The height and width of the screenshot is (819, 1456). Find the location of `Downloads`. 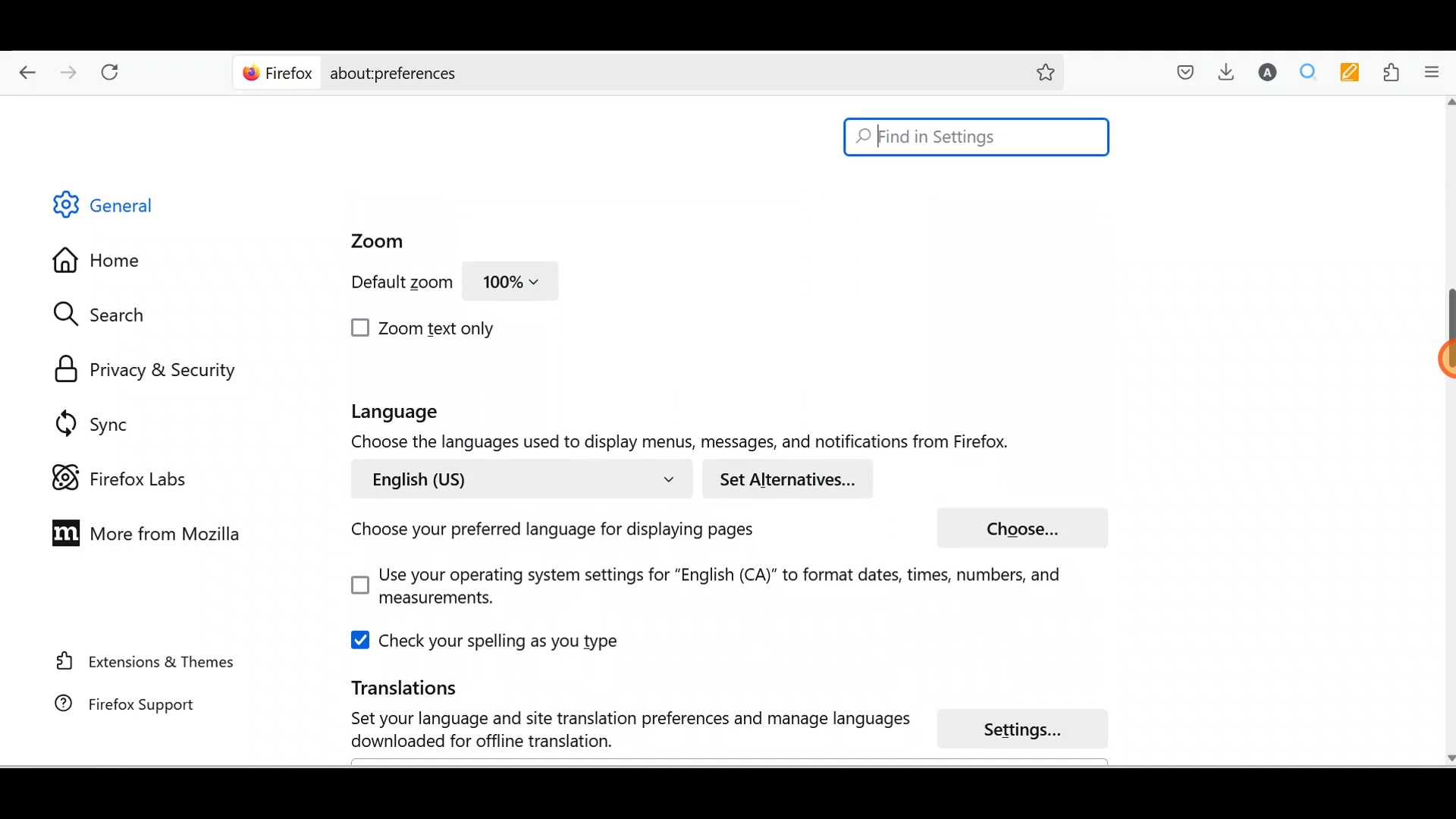

Downloads is located at coordinates (1222, 71).